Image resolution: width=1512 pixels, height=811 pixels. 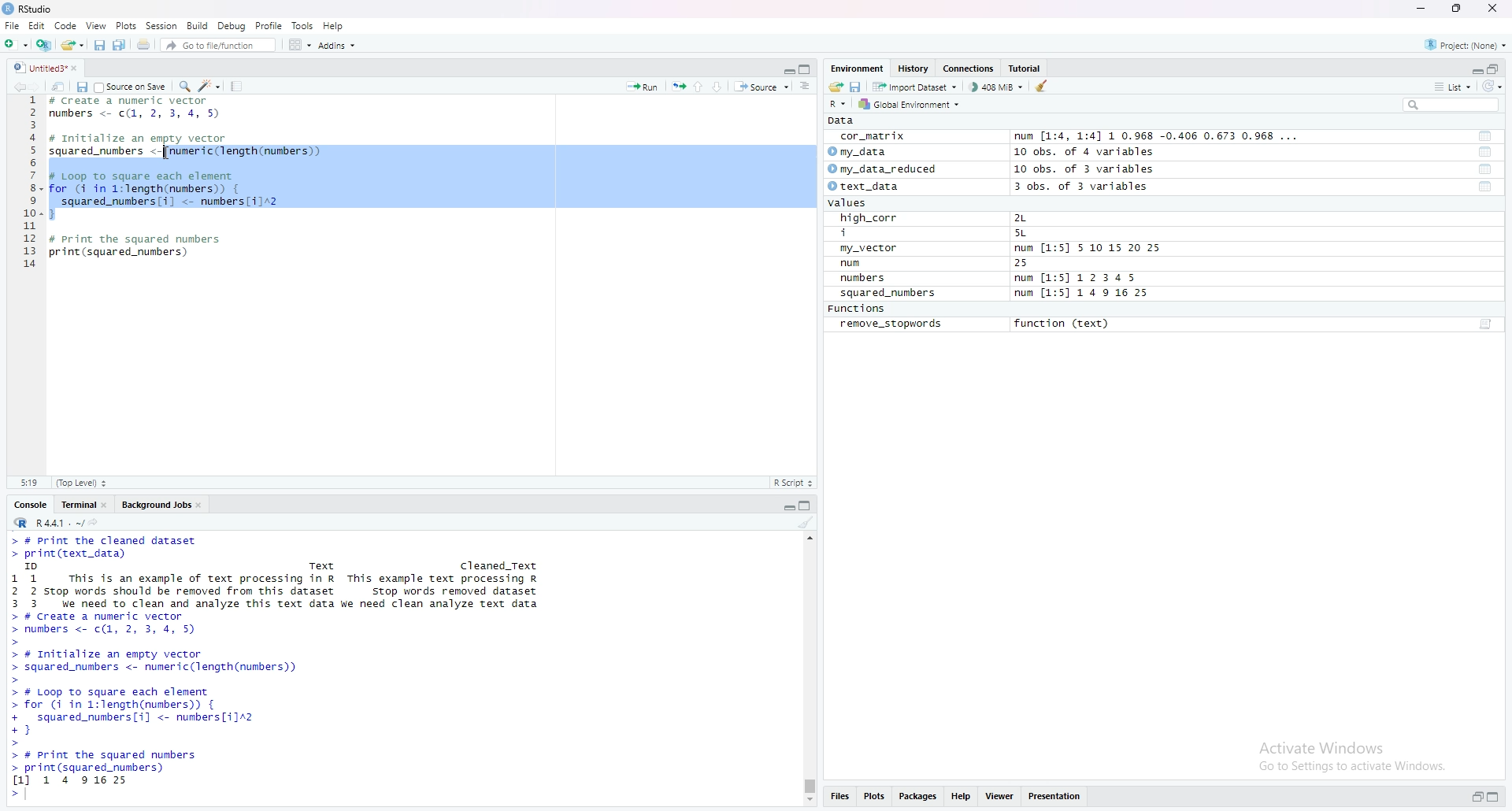 What do you see at coordinates (806, 86) in the screenshot?
I see `Document outline` at bounding box center [806, 86].